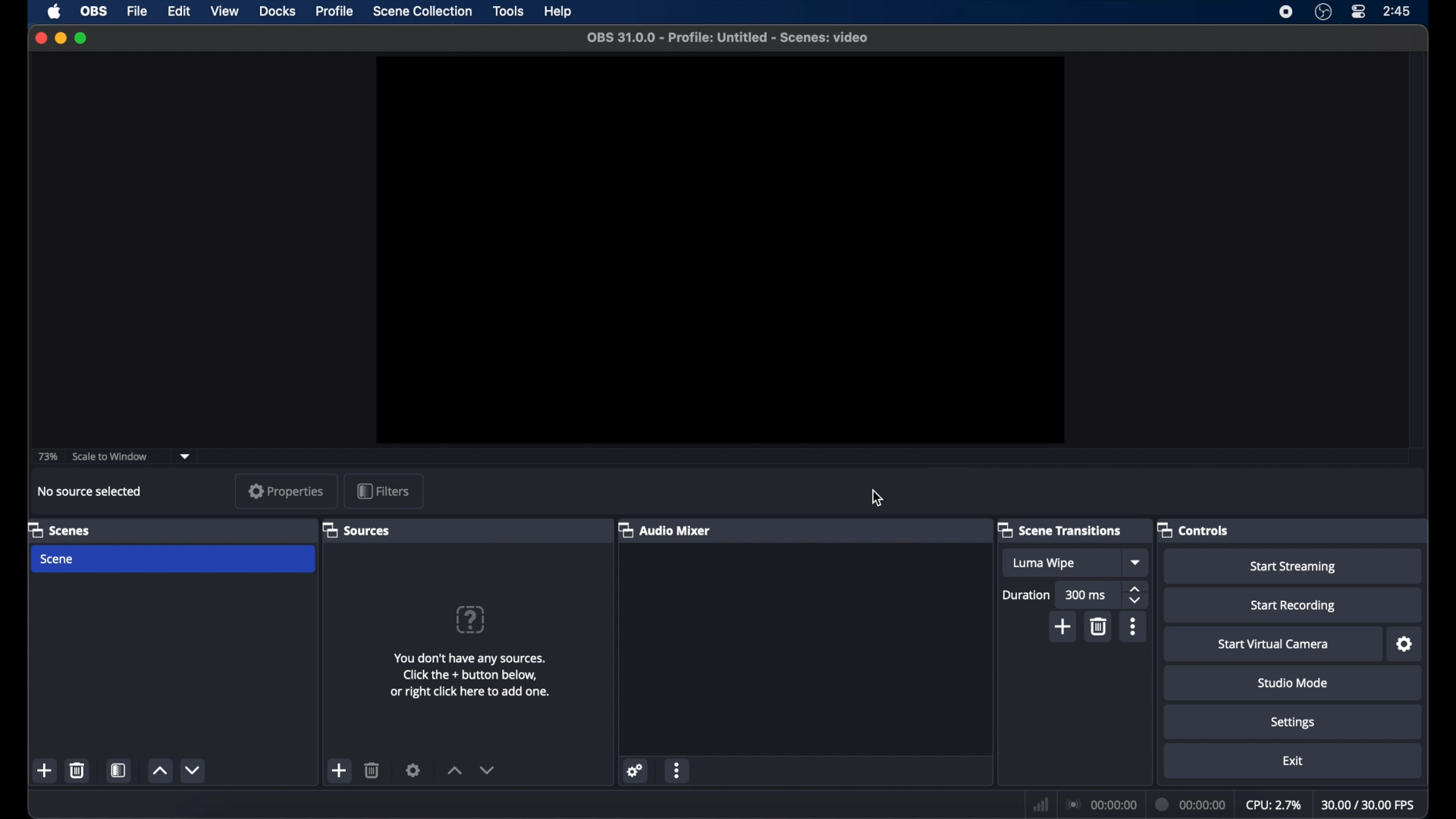 The height and width of the screenshot is (819, 1456). Describe the element at coordinates (55, 11) in the screenshot. I see `apple icon` at that location.